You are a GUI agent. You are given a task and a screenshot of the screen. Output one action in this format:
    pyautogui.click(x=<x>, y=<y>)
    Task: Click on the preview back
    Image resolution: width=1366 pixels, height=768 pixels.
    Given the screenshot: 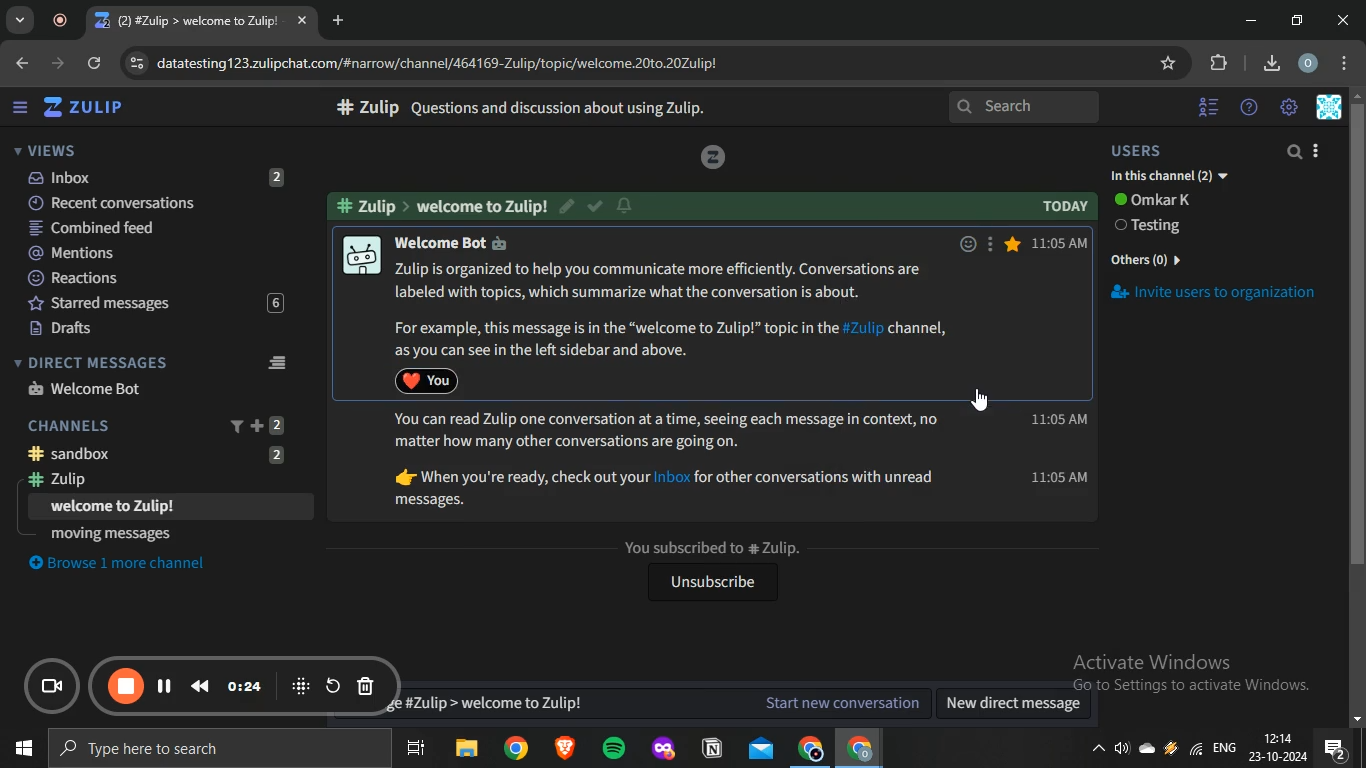 What is the action you would take?
    pyautogui.click(x=200, y=685)
    